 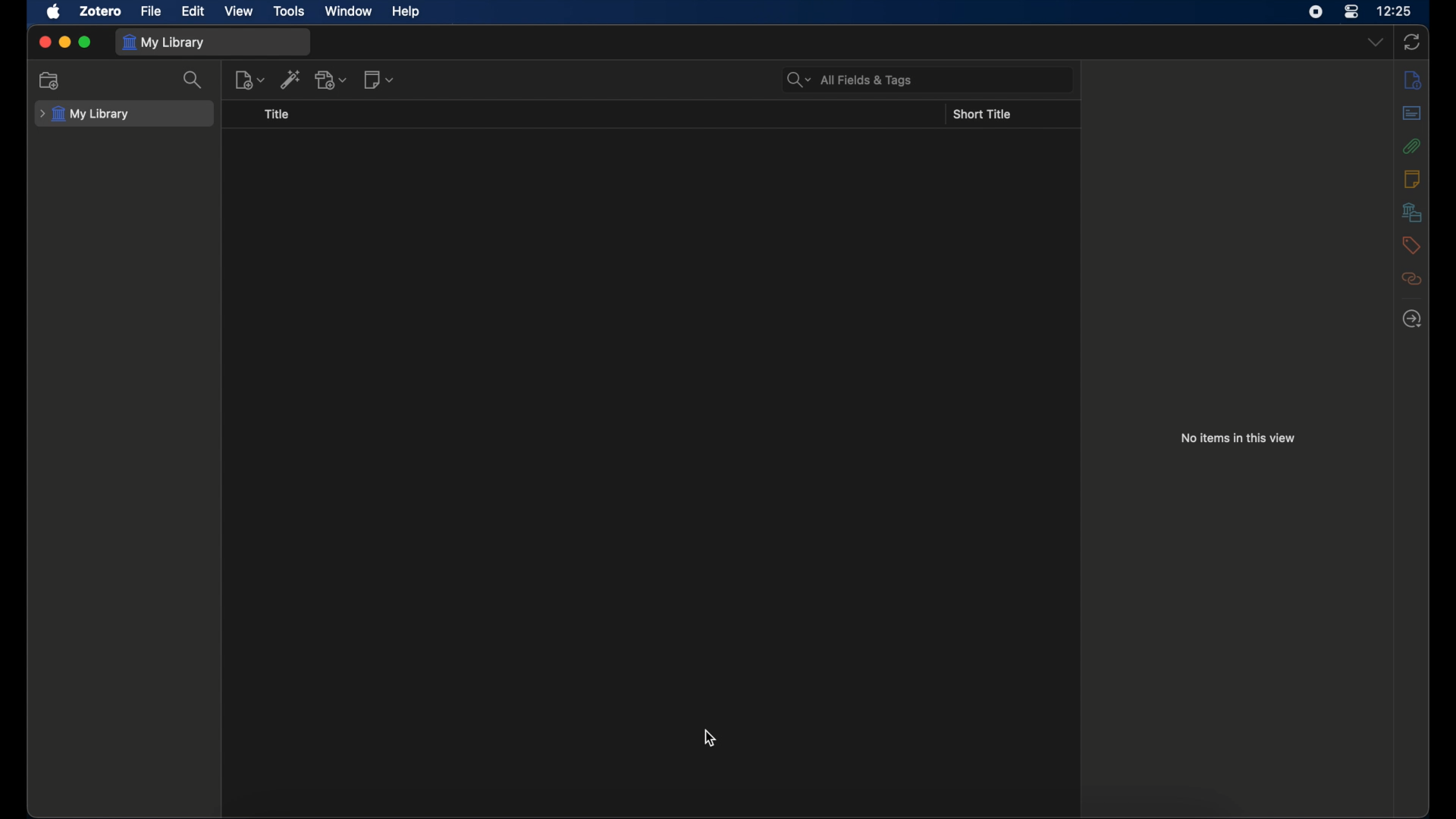 What do you see at coordinates (192, 80) in the screenshot?
I see `search` at bounding box center [192, 80].